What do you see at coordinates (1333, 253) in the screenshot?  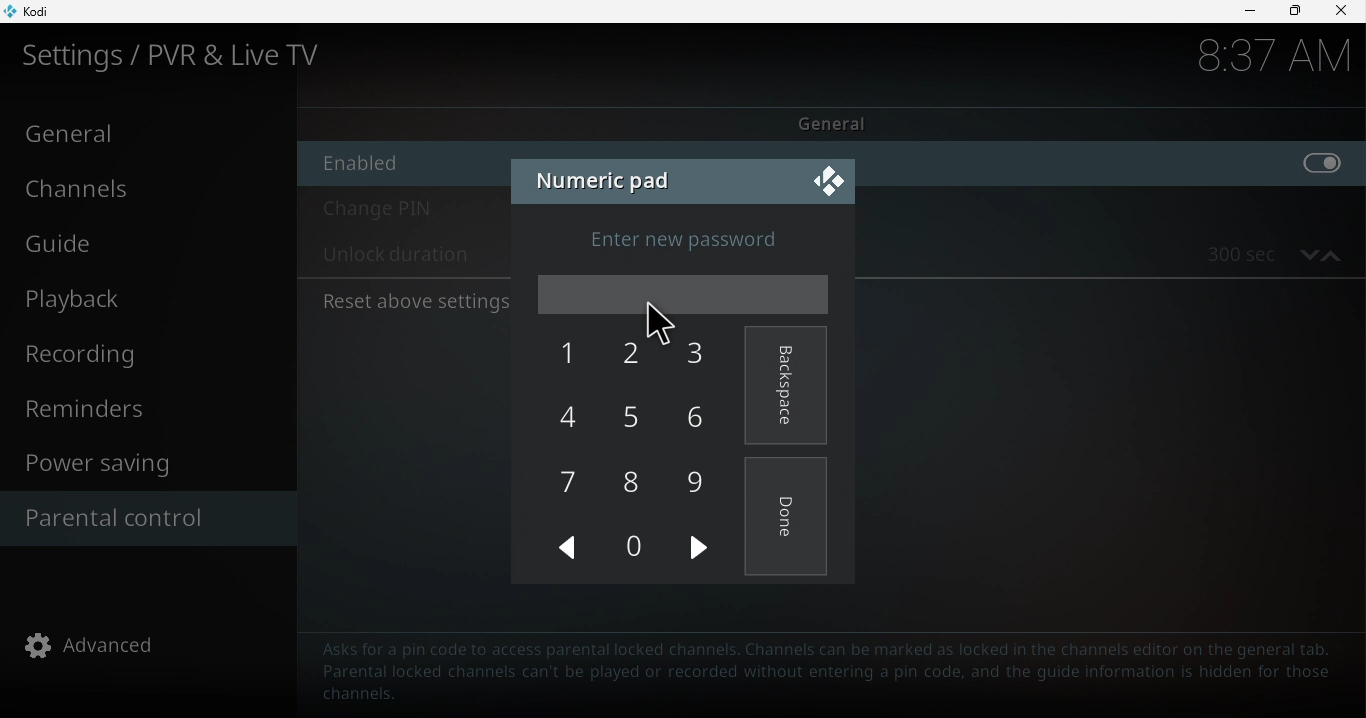 I see `increase` at bounding box center [1333, 253].